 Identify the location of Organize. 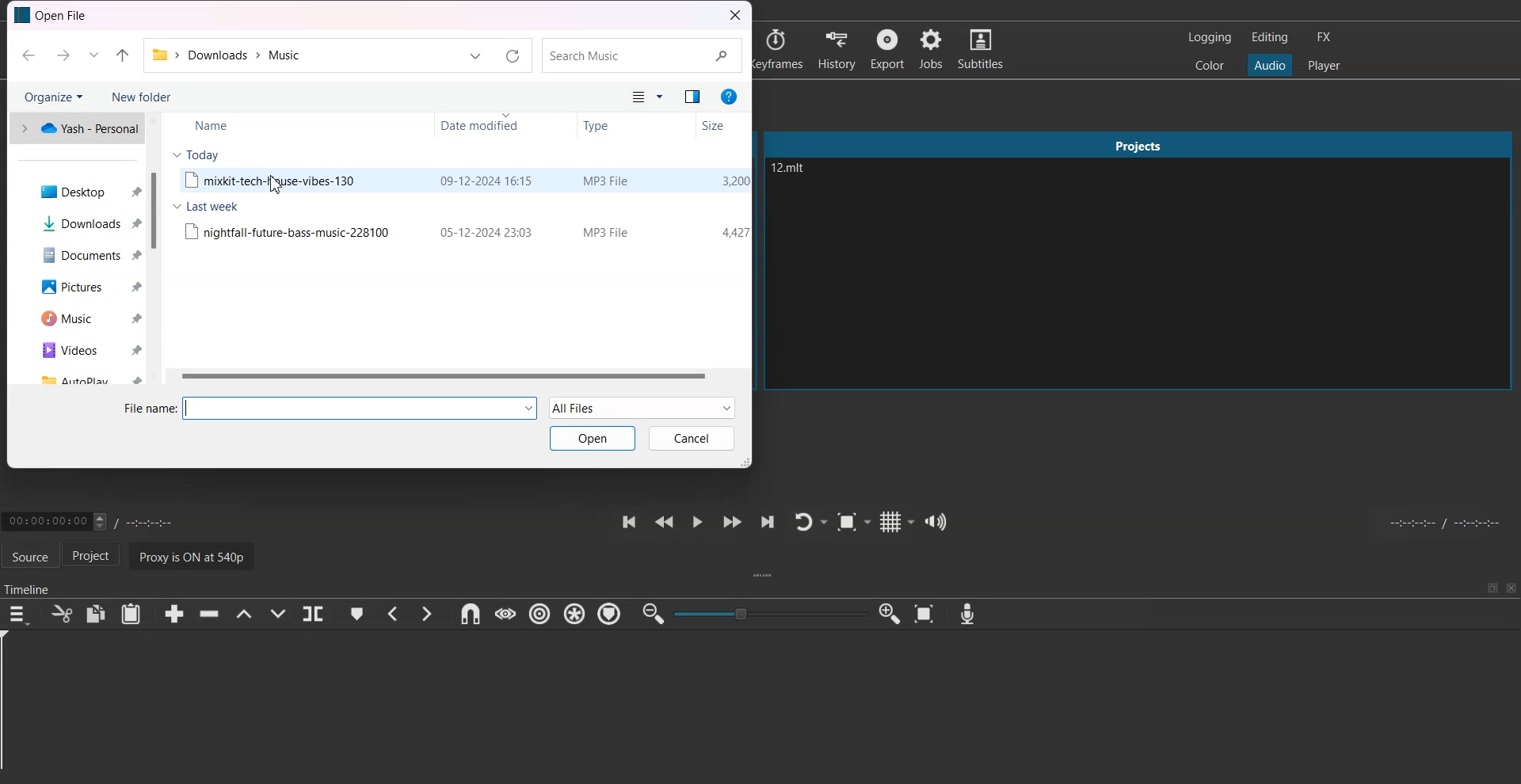
(53, 96).